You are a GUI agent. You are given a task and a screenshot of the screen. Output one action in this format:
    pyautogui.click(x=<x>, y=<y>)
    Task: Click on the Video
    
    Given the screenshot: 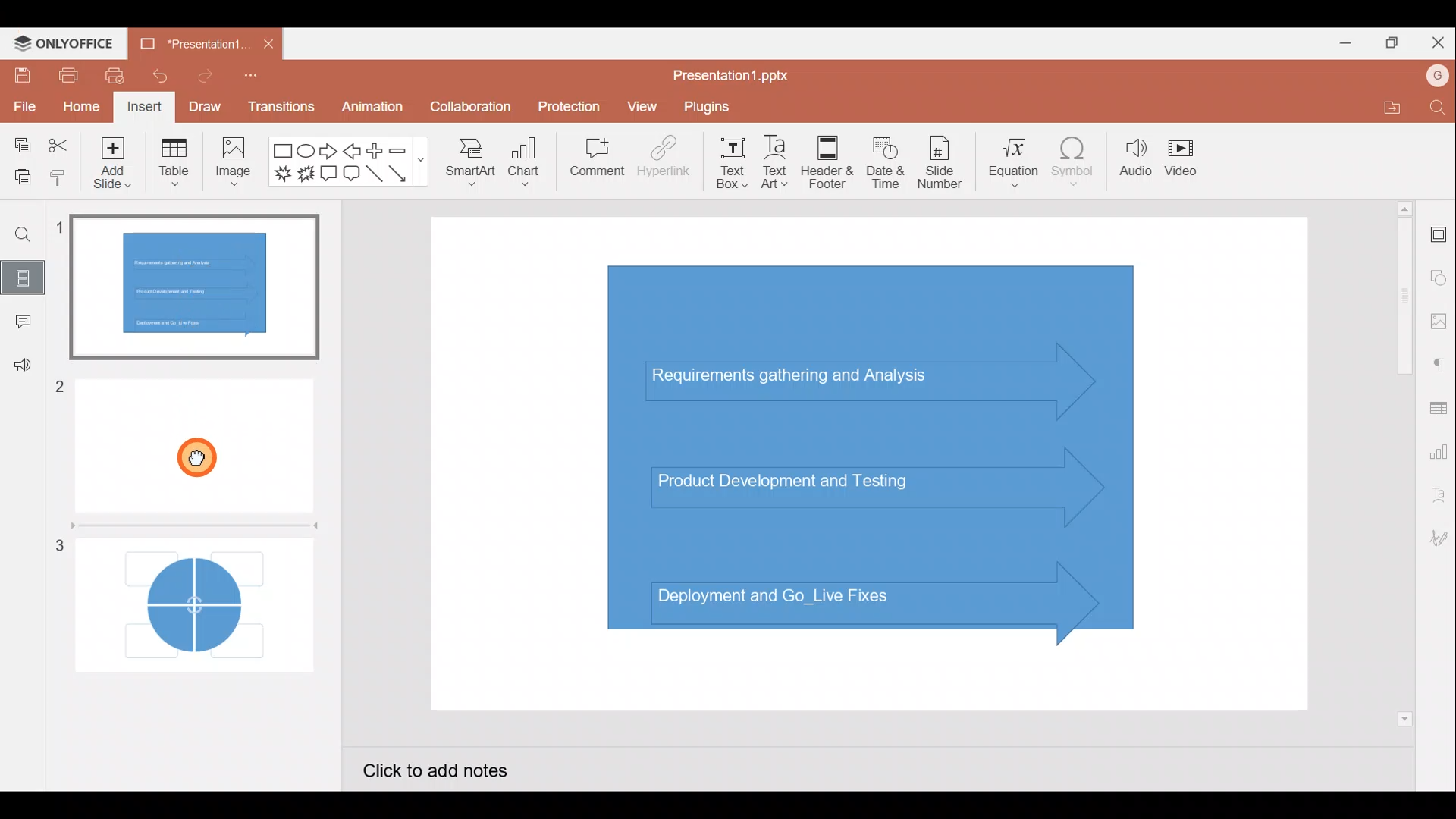 What is the action you would take?
    pyautogui.click(x=1187, y=157)
    